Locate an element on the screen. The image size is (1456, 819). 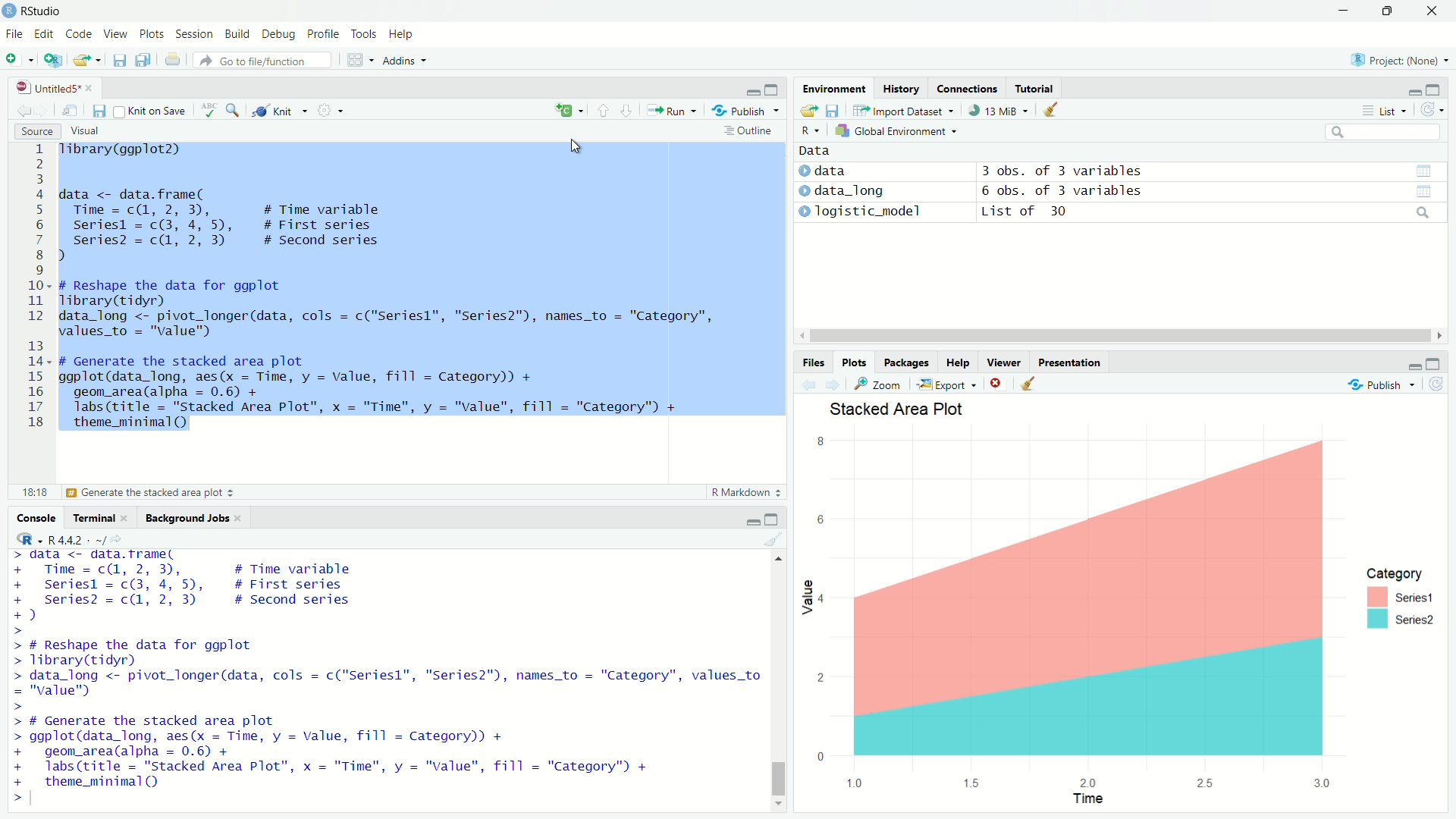
minimise is located at coordinates (1409, 91).